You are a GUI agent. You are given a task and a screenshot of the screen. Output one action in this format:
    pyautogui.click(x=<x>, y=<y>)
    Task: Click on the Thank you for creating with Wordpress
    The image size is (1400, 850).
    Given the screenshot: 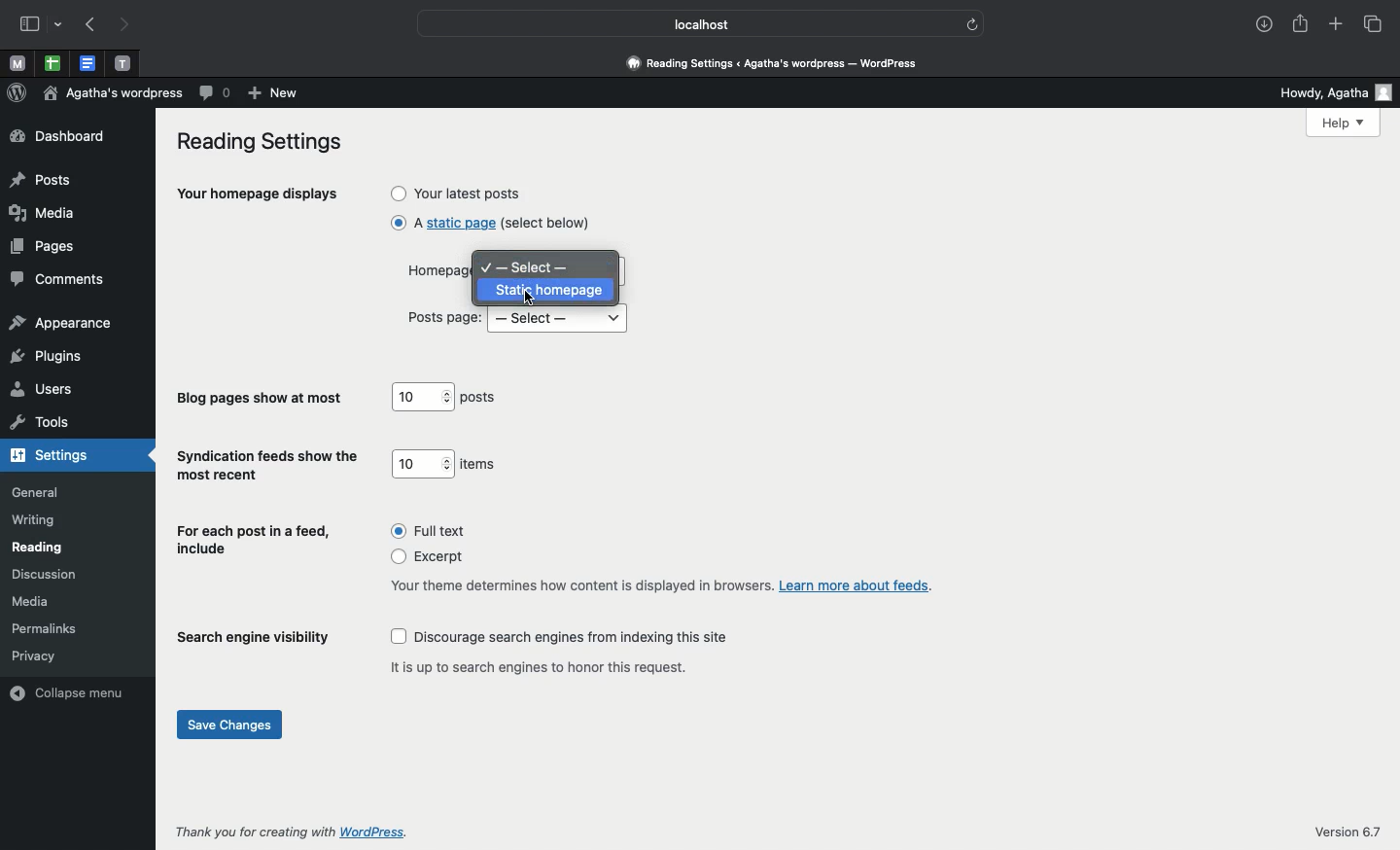 What is the action you would take?
    pyautogui.click(x=295, y=832)
    